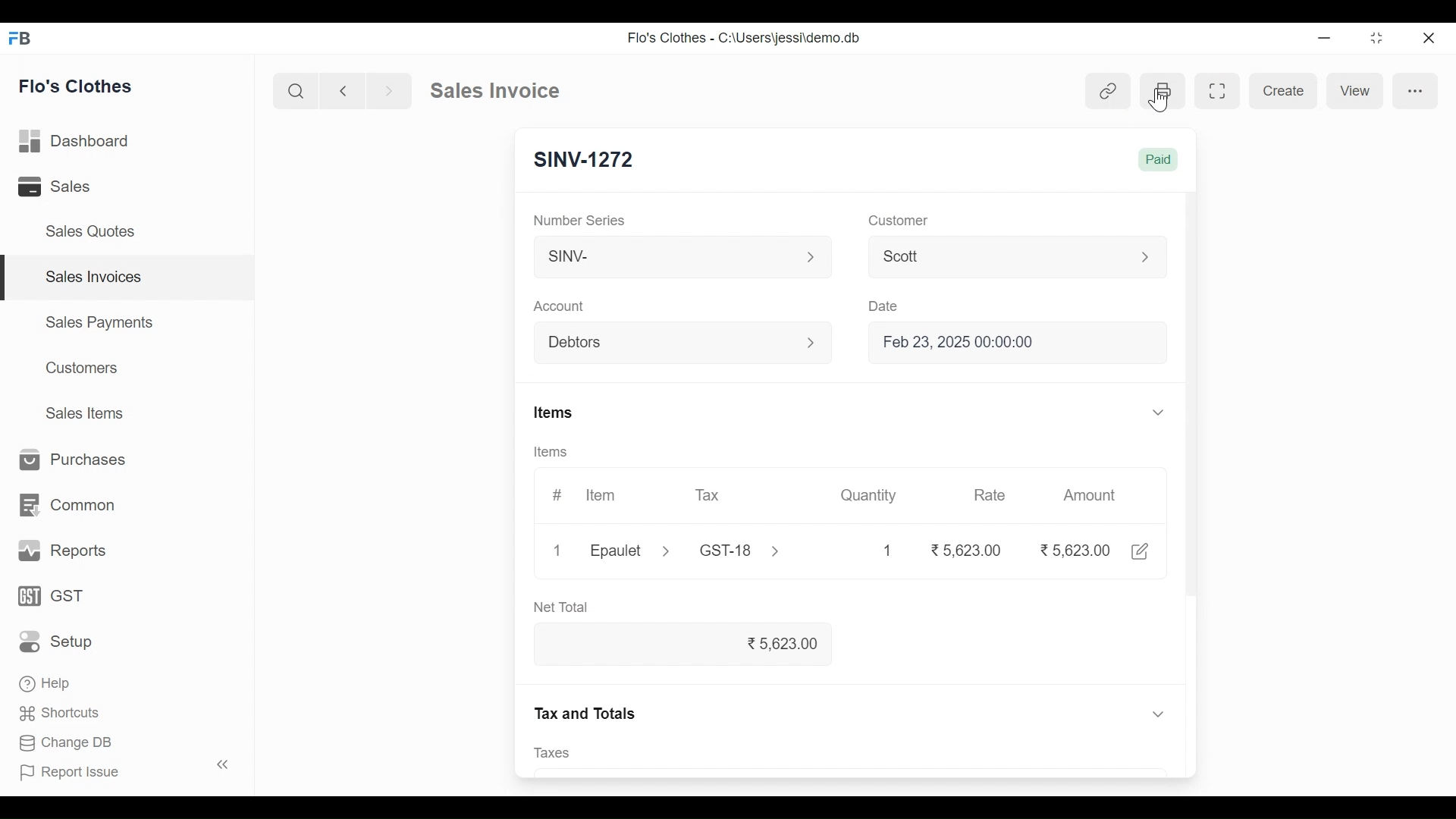  Describe the element at coordinates (64, 713) in the screenshot. I see `' Shortcuts` at that location.